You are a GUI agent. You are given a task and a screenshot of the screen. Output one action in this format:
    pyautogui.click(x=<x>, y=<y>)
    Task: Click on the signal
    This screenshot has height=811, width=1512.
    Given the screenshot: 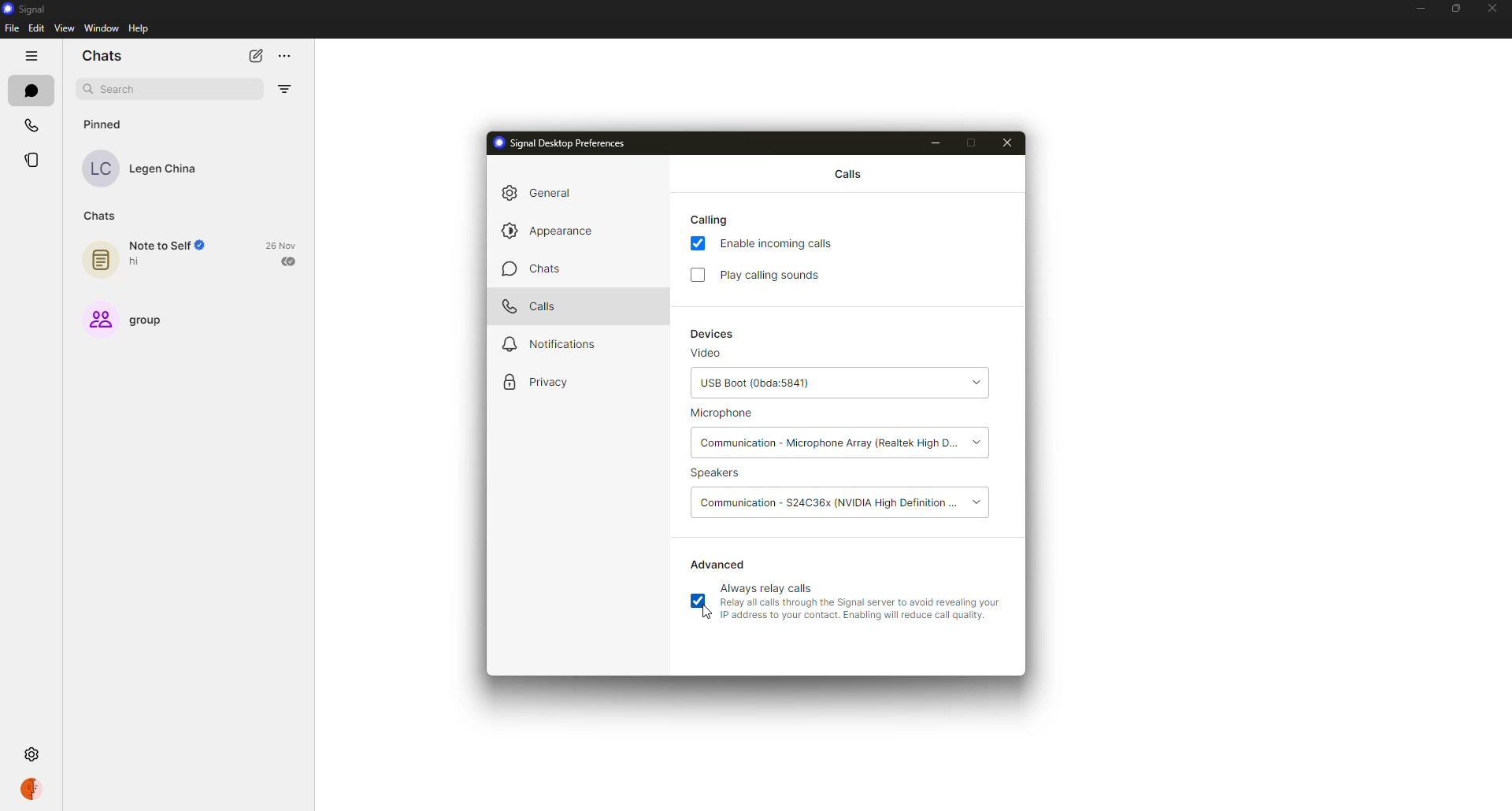 What is the action you would take?
    pyautogui.click(x=24, y=8)
    